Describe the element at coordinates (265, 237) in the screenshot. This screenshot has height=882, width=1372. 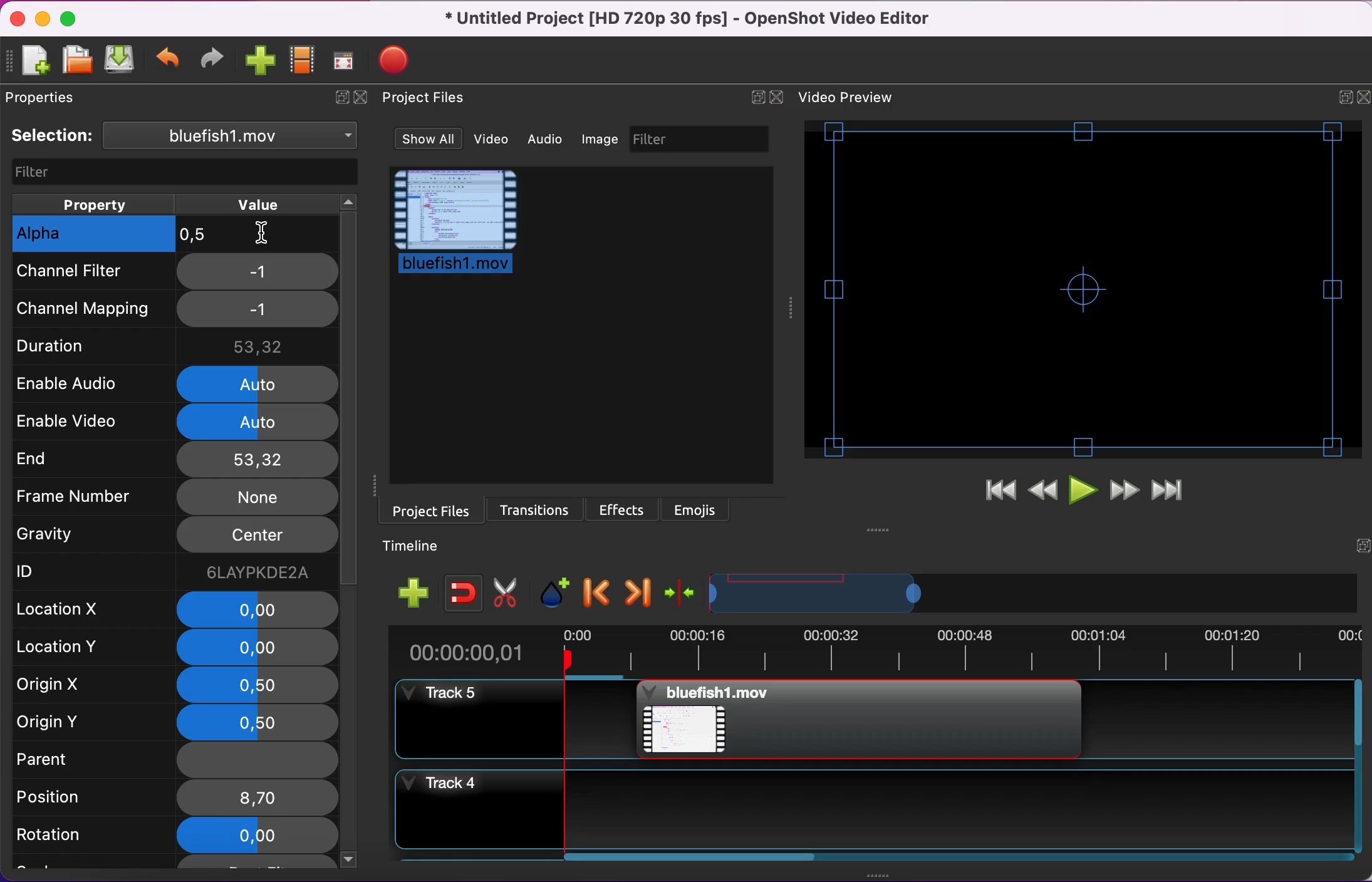
I see `0,5` at that location.